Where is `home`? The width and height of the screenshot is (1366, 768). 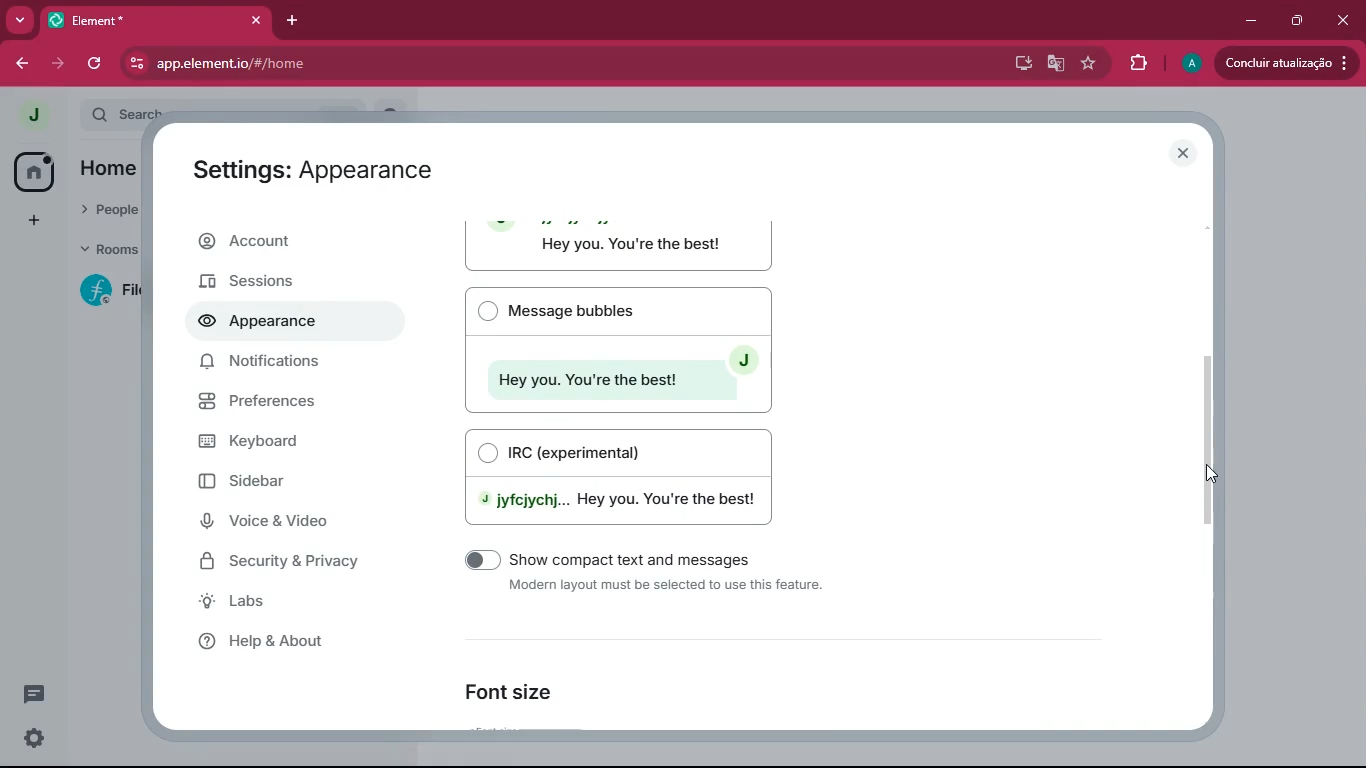
home is located at coordinates (34, 171).